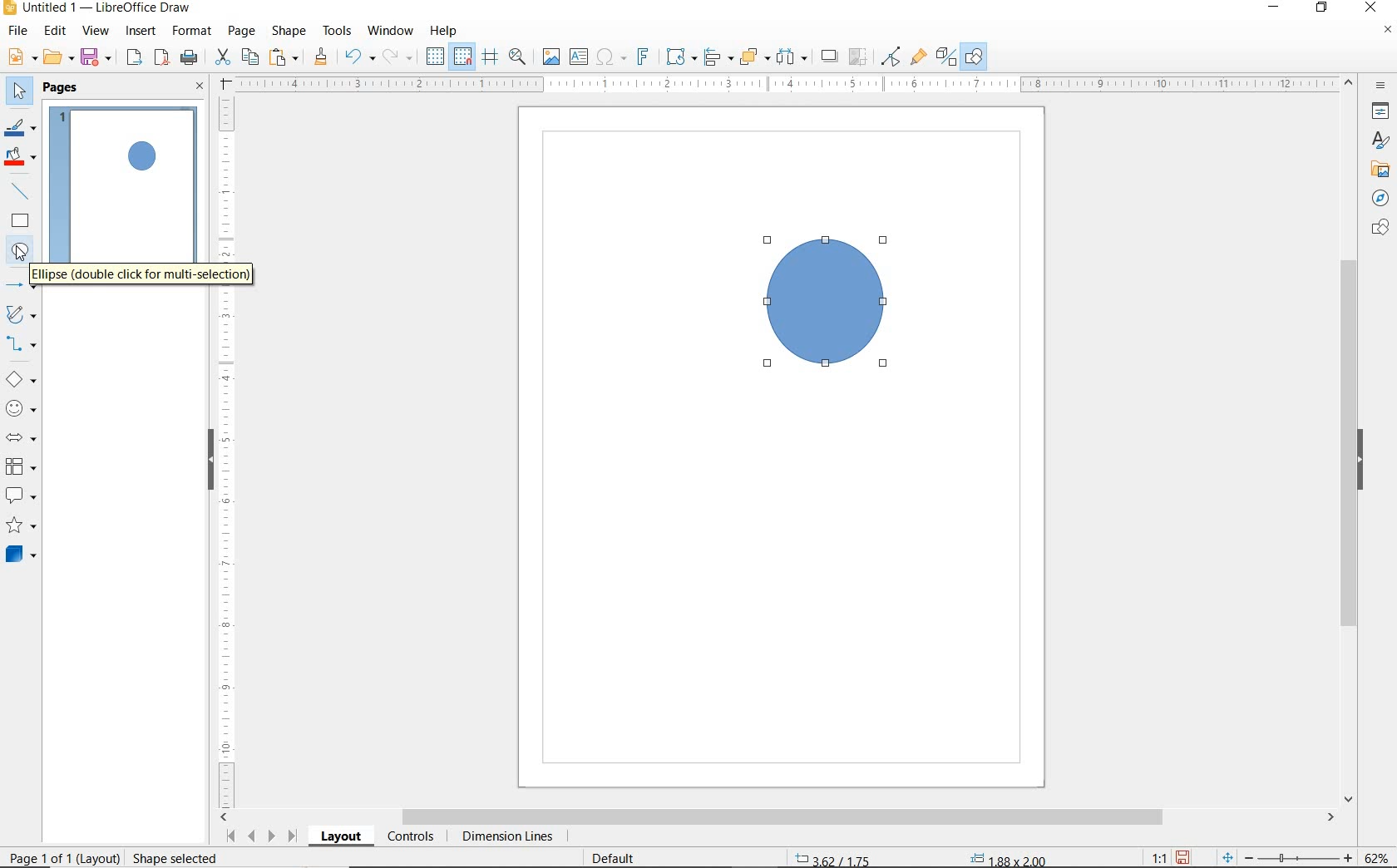 Image resolution: width=1397 pixels, height=868 pixels. What do you see at coordinates (1365, 460) in the screenshot?
I see `HIDE` at bounding box center [1365, 460].